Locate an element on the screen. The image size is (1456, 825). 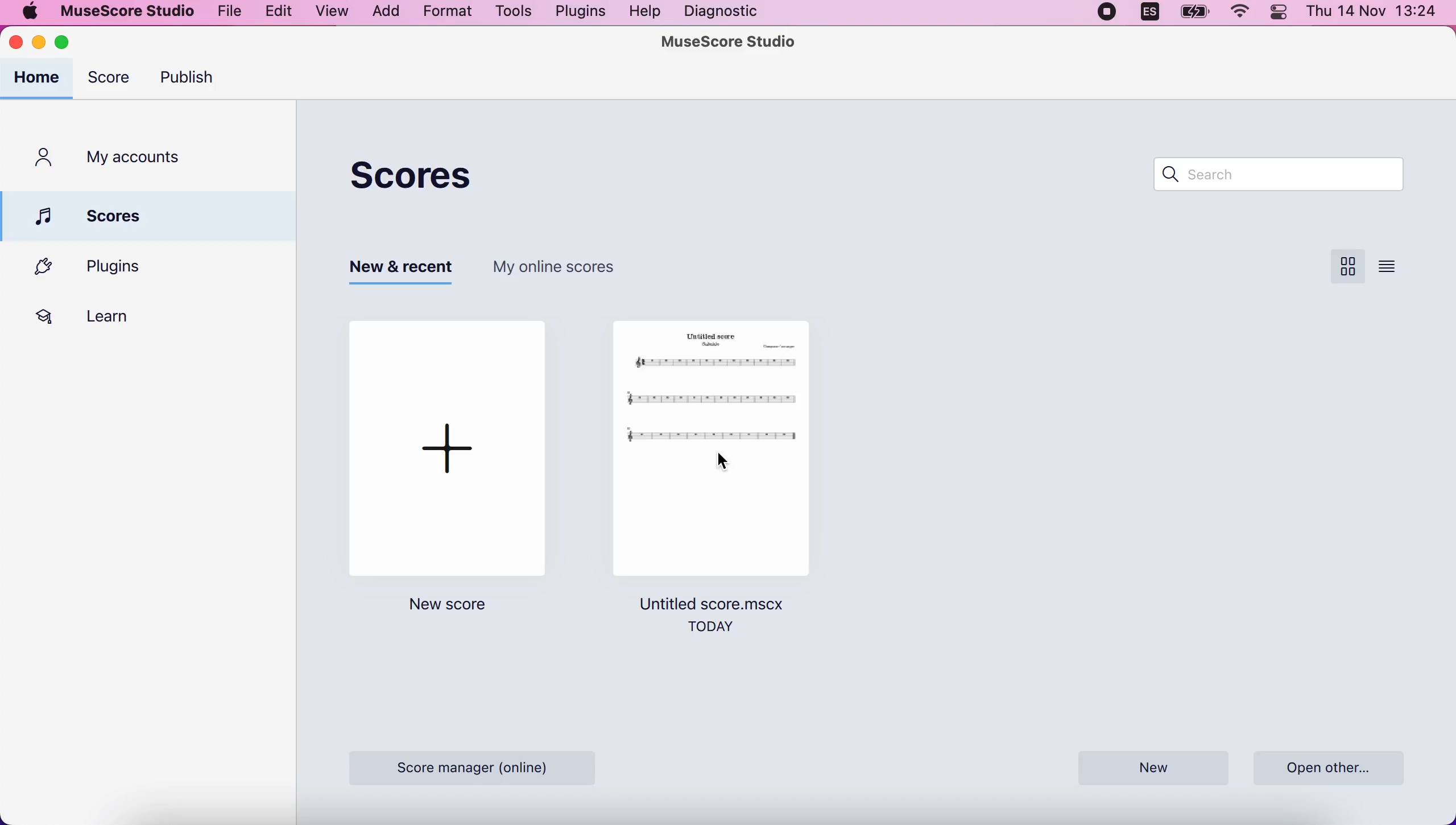
language is located at coordinates (1145, 14).